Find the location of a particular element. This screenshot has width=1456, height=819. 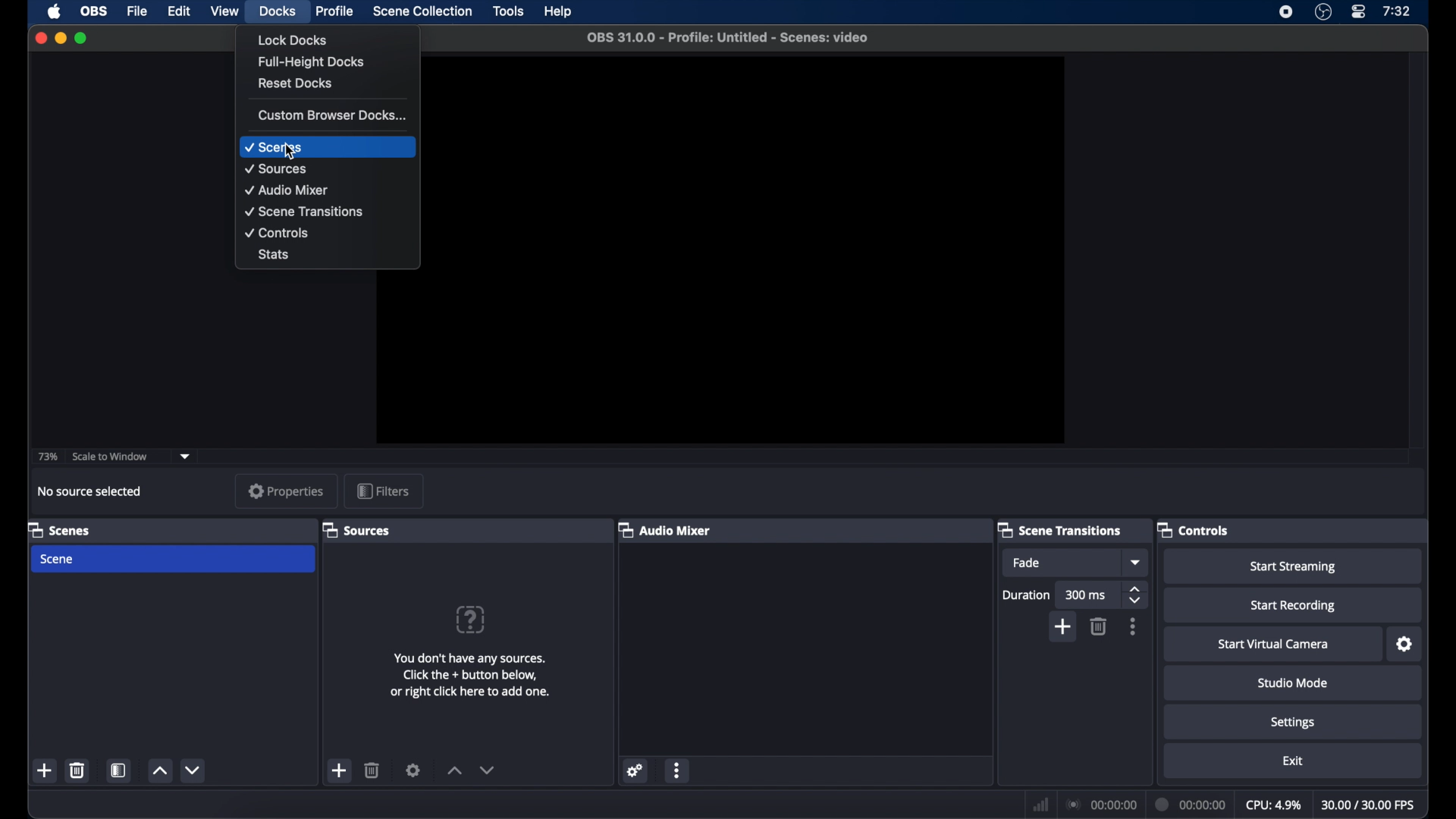

scenes is located at coordinates (275, 148).